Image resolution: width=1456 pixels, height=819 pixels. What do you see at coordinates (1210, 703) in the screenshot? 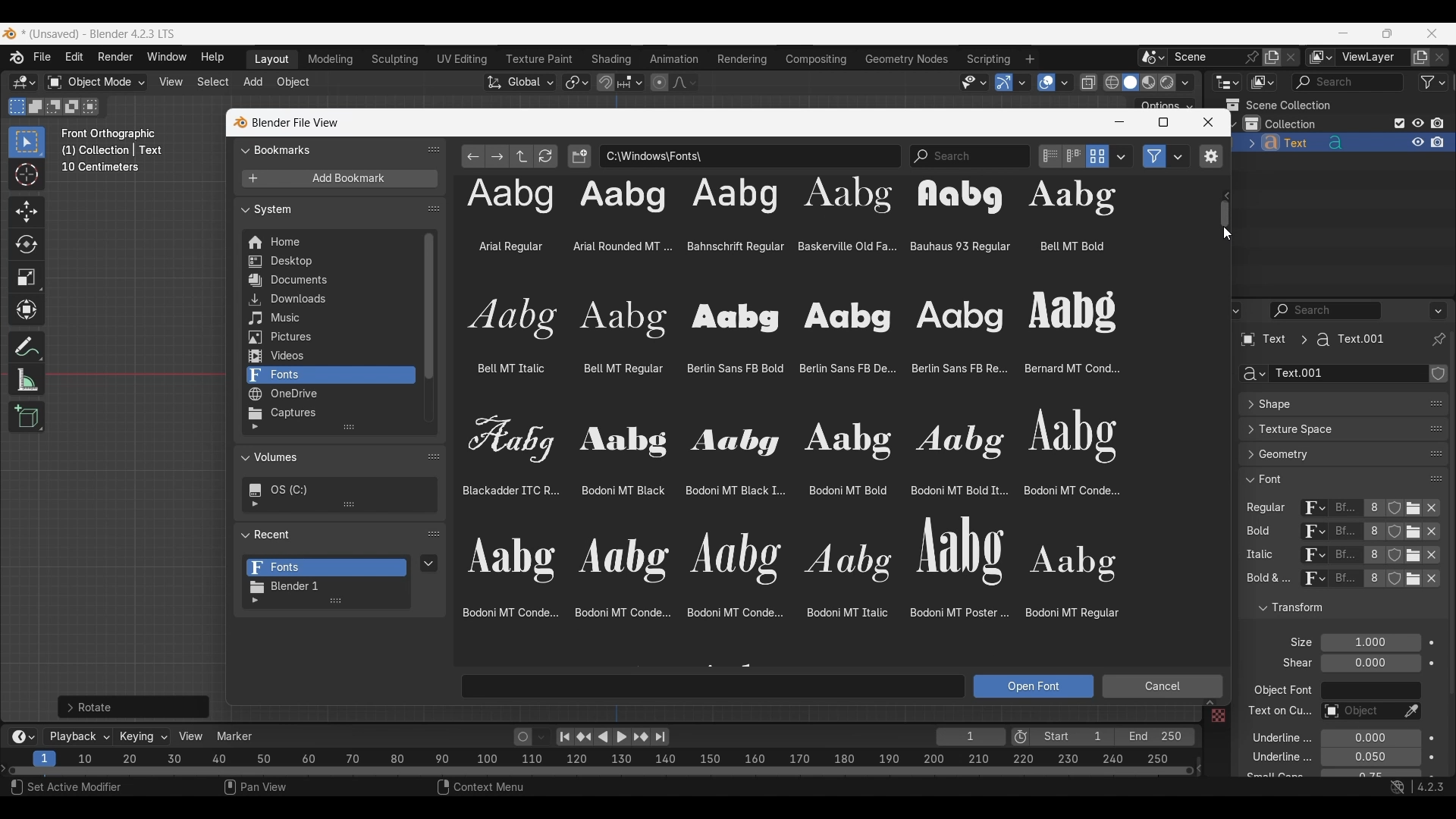
I see `Expand View/Select` at bounding box center [1210, 703].